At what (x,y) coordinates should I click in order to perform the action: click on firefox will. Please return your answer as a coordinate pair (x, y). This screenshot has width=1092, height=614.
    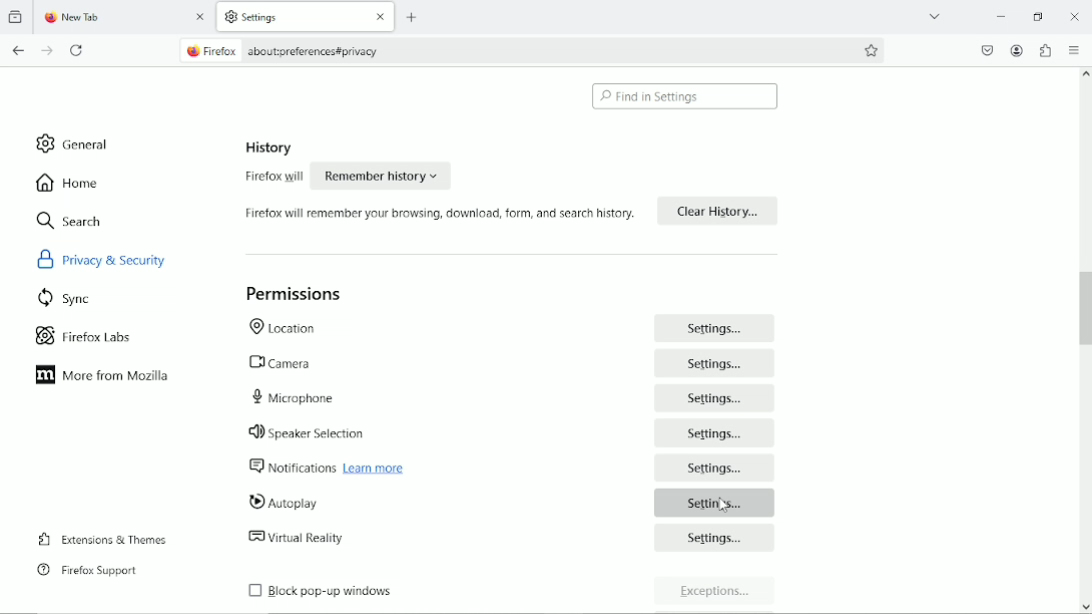
    Looking at the image, I should click on (269, 179).